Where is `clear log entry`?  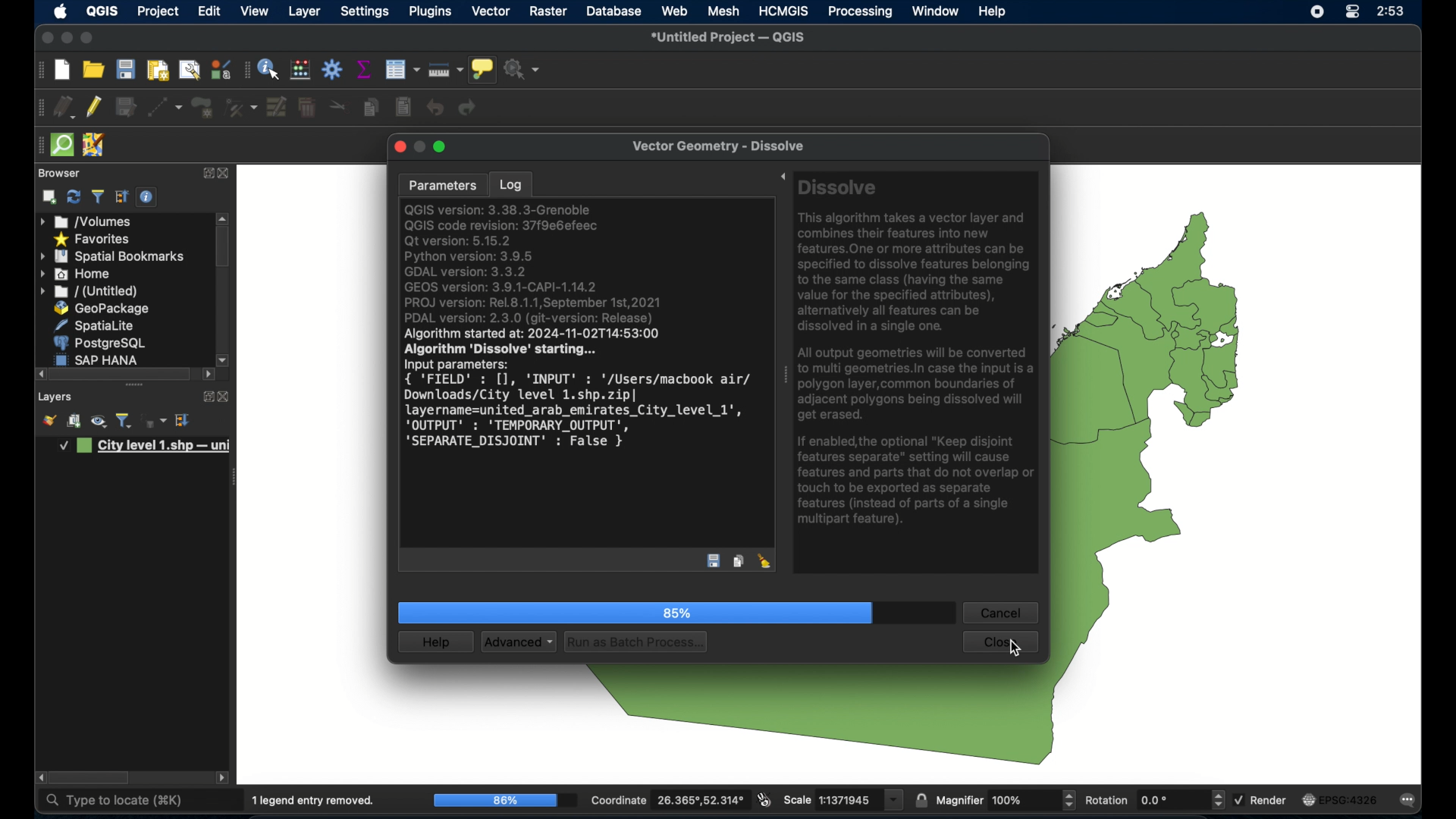
clear log entry is located at coordinates (765, 561).